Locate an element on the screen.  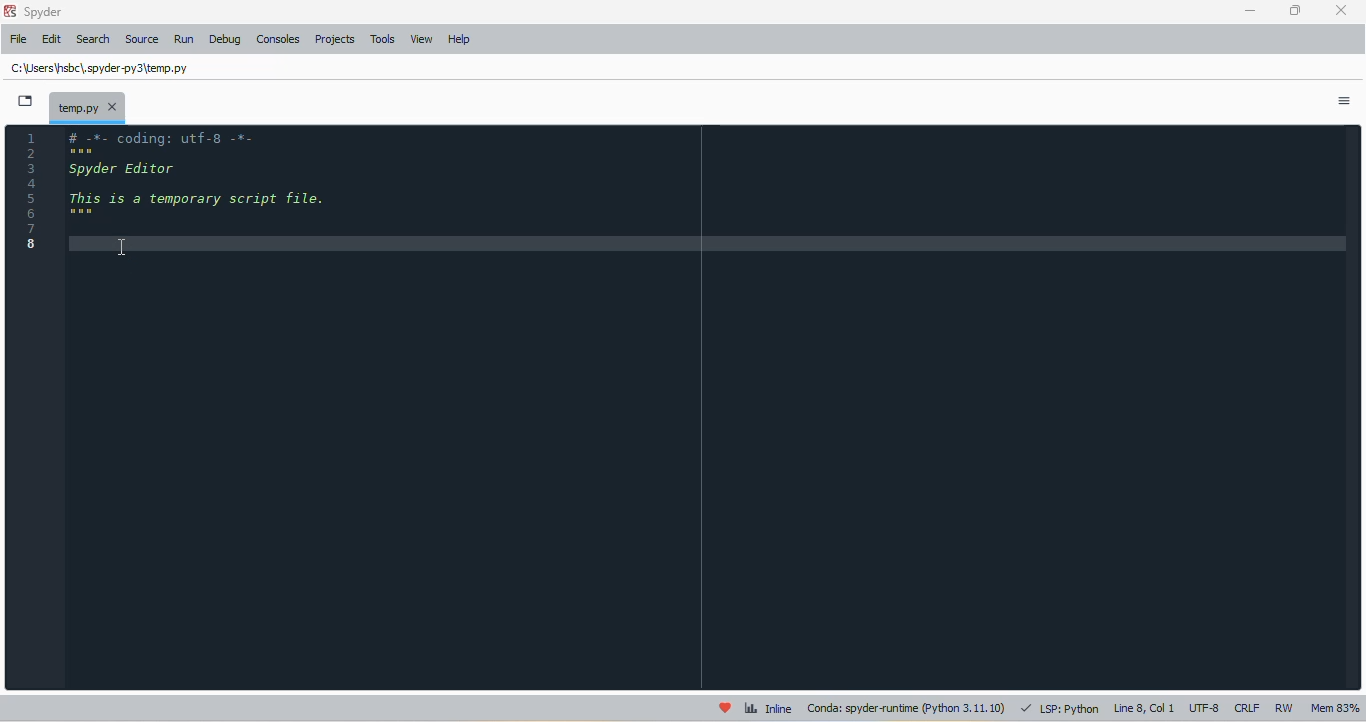
maximize is located at coordinates (1296, 10).